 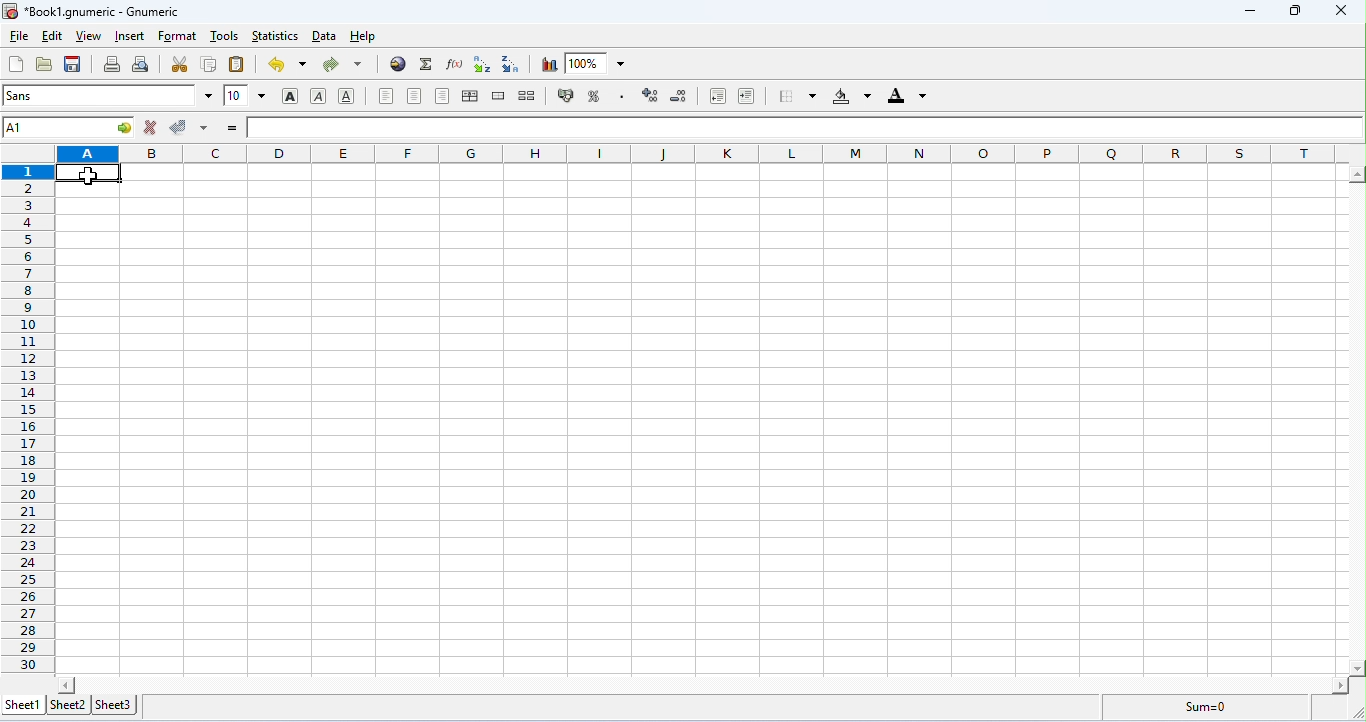 I want to click on formula, so click(x=1202, y=705).